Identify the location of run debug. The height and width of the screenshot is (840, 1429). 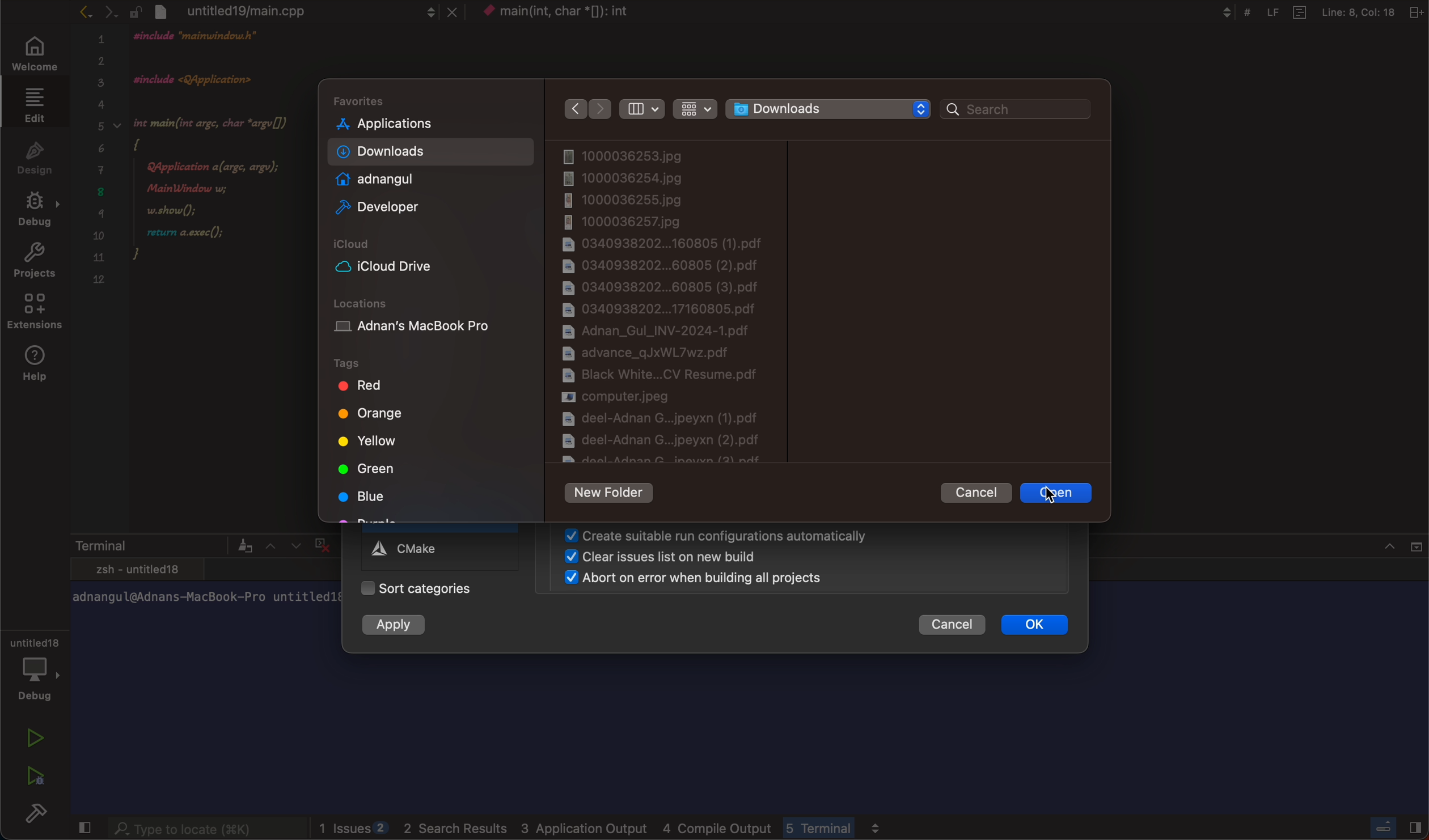
(33, 773).